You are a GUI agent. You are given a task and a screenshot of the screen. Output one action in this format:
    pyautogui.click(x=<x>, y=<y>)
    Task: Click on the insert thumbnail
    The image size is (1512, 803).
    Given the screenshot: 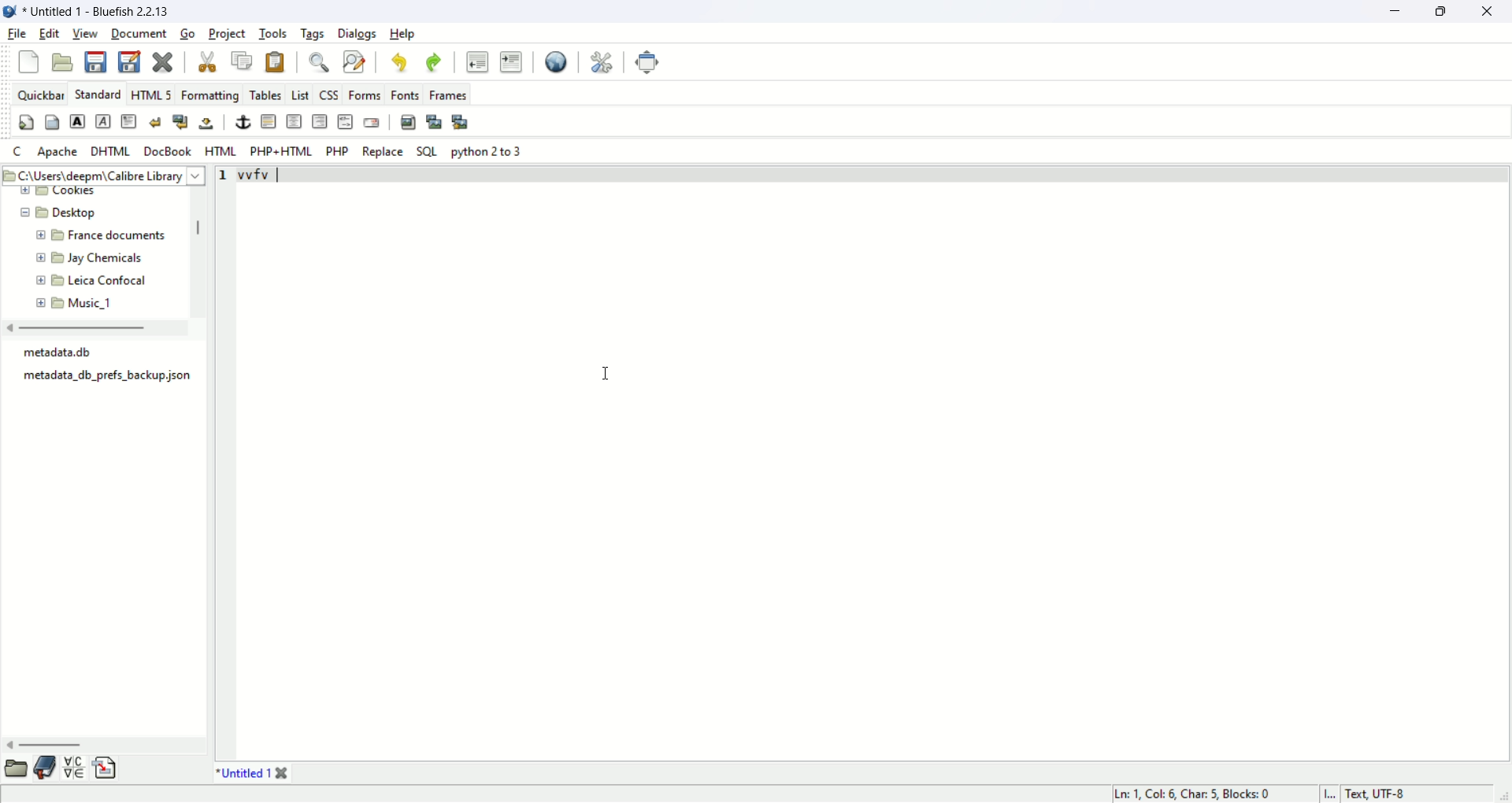 What is the action you would take?
    pyautogui.click(x=435, y=122)
    